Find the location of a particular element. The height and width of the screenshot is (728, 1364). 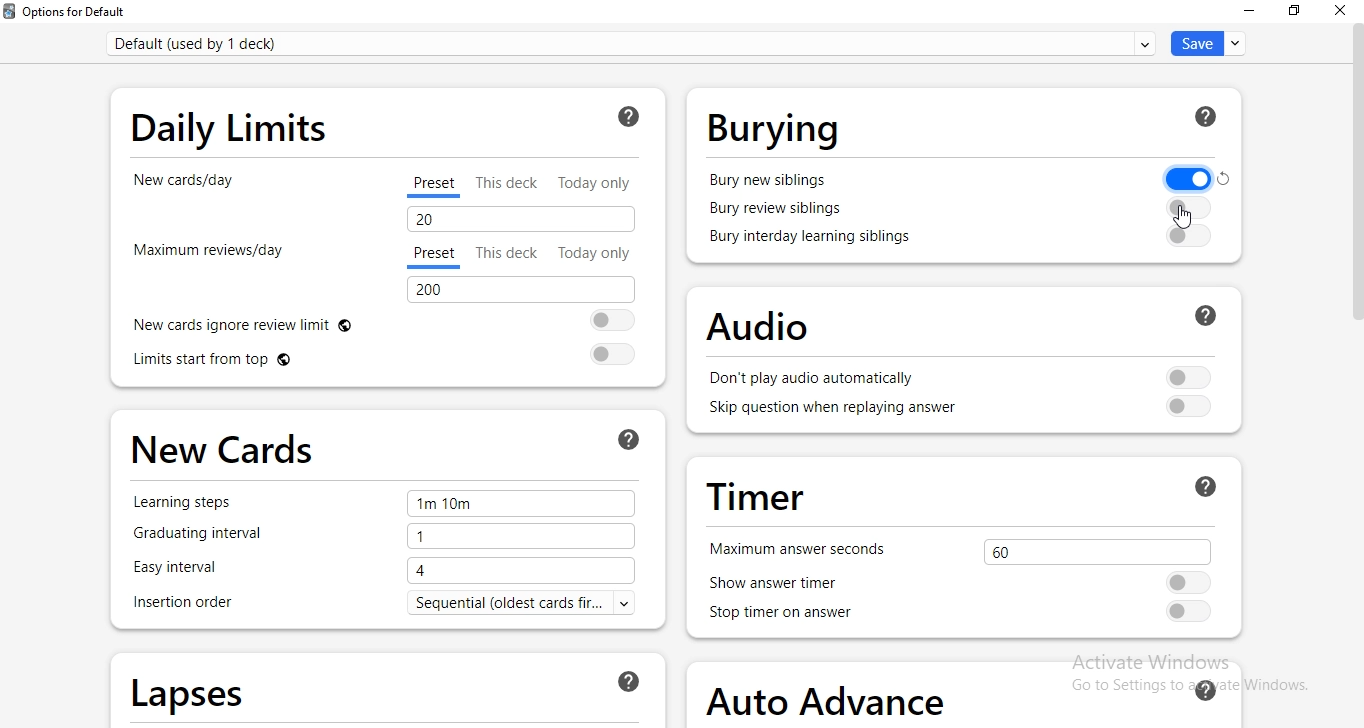

today only is located at coordinates (604, 180).